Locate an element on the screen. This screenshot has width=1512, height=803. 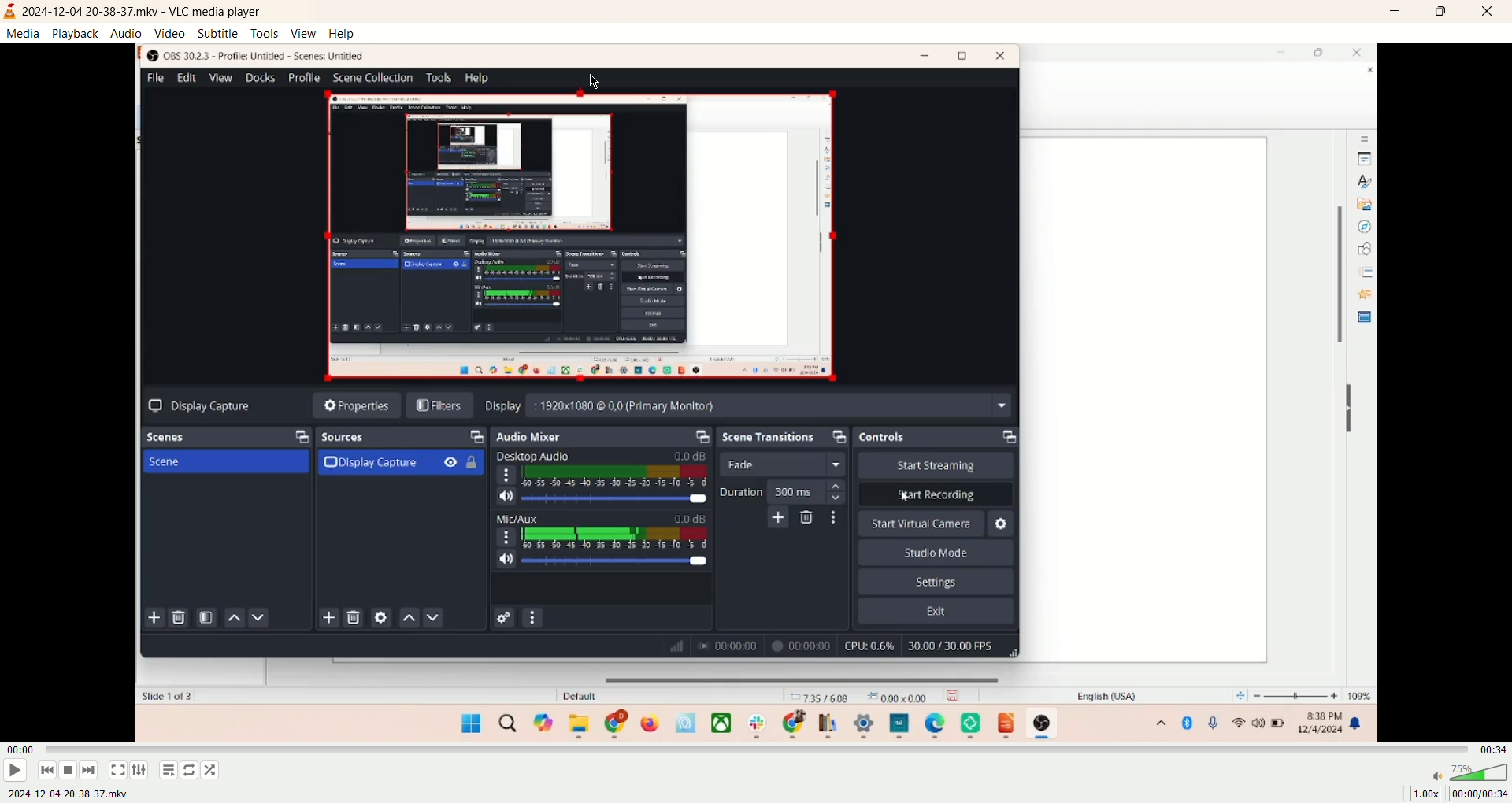
volume bar is located at coordinates (1466, 770).